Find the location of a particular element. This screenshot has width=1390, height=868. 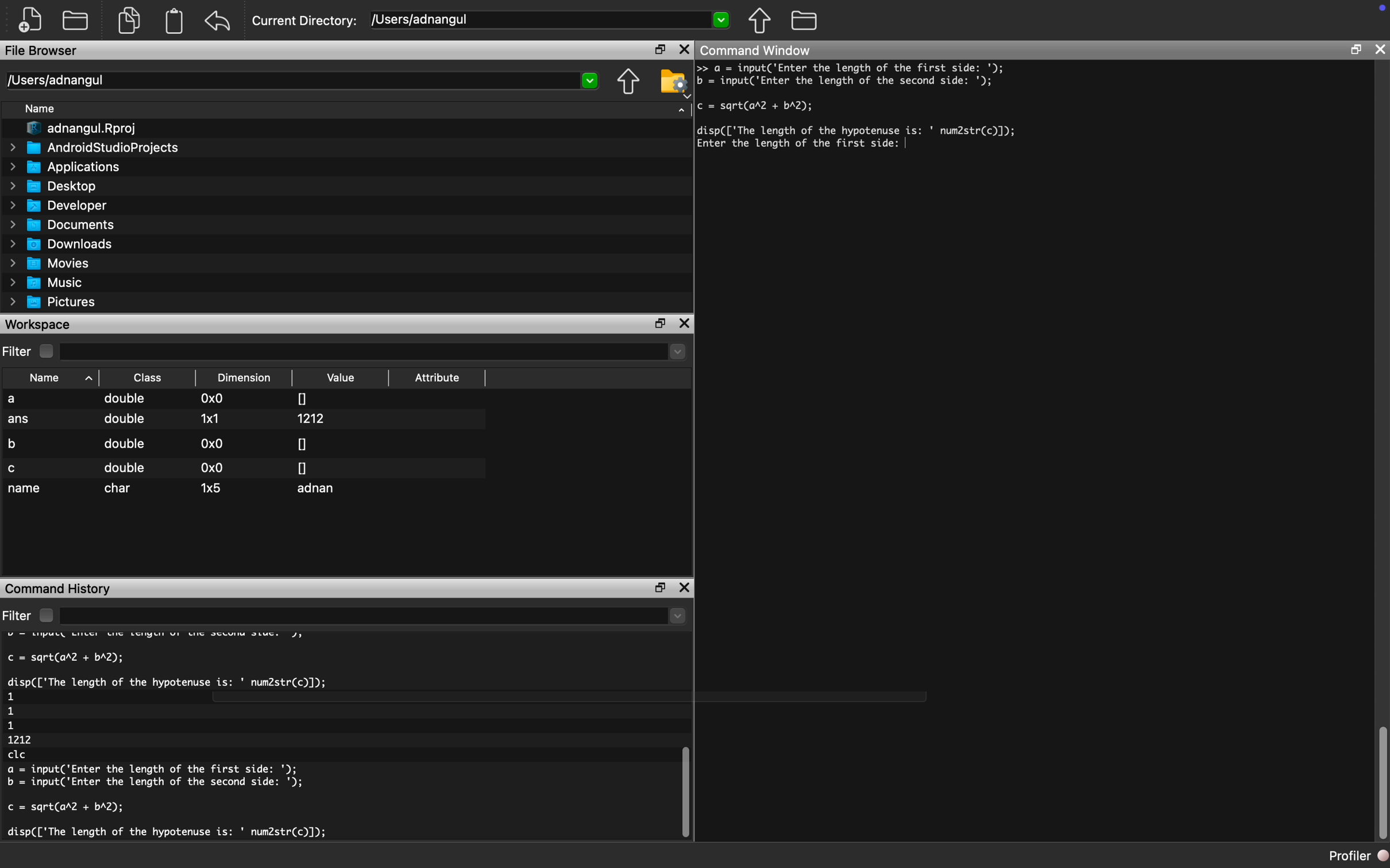

dropdown is located at coordinates (682, 108).